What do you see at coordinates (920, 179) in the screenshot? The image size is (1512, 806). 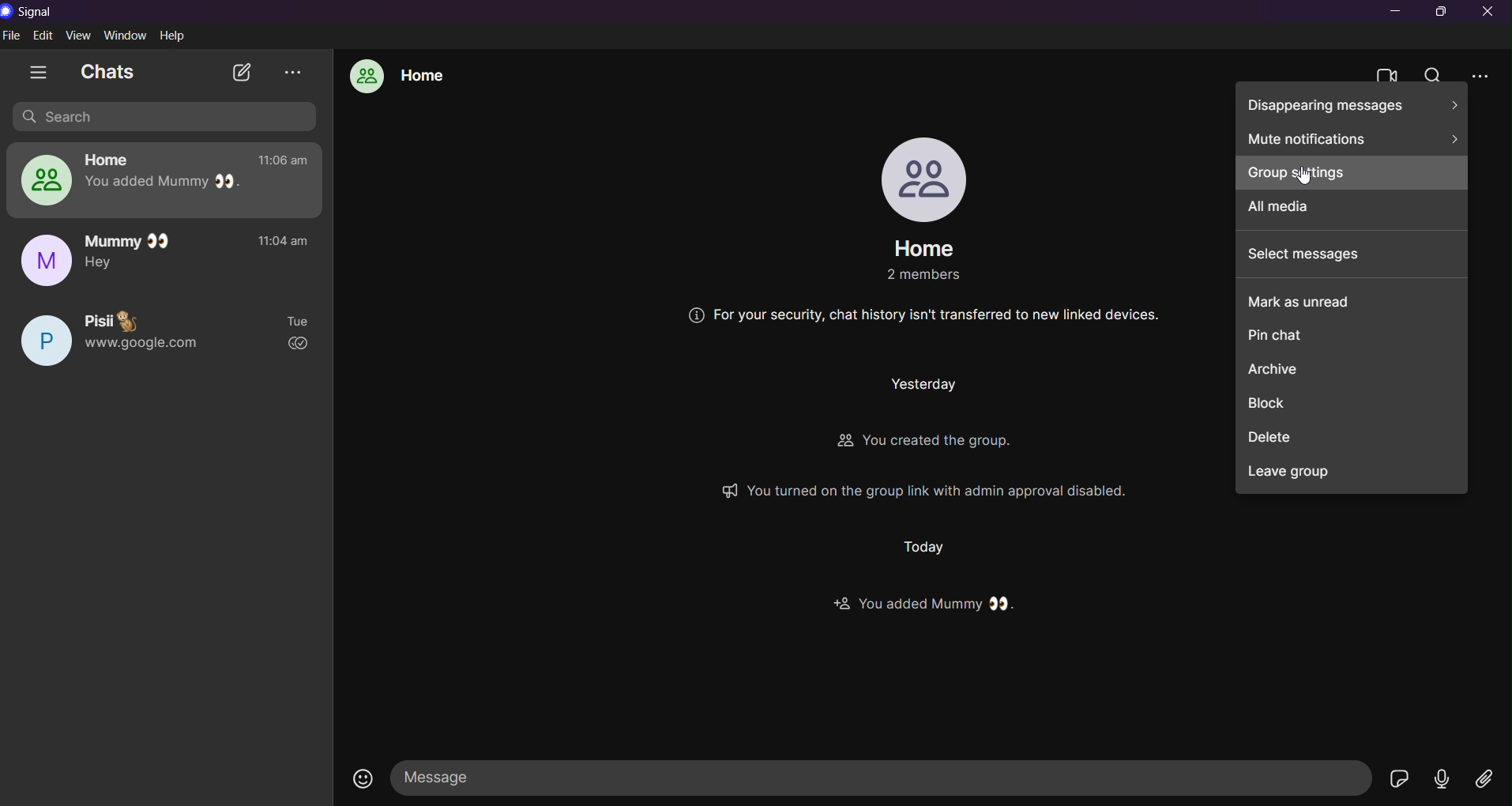 I see `profile` at bounding box center [920, 179].